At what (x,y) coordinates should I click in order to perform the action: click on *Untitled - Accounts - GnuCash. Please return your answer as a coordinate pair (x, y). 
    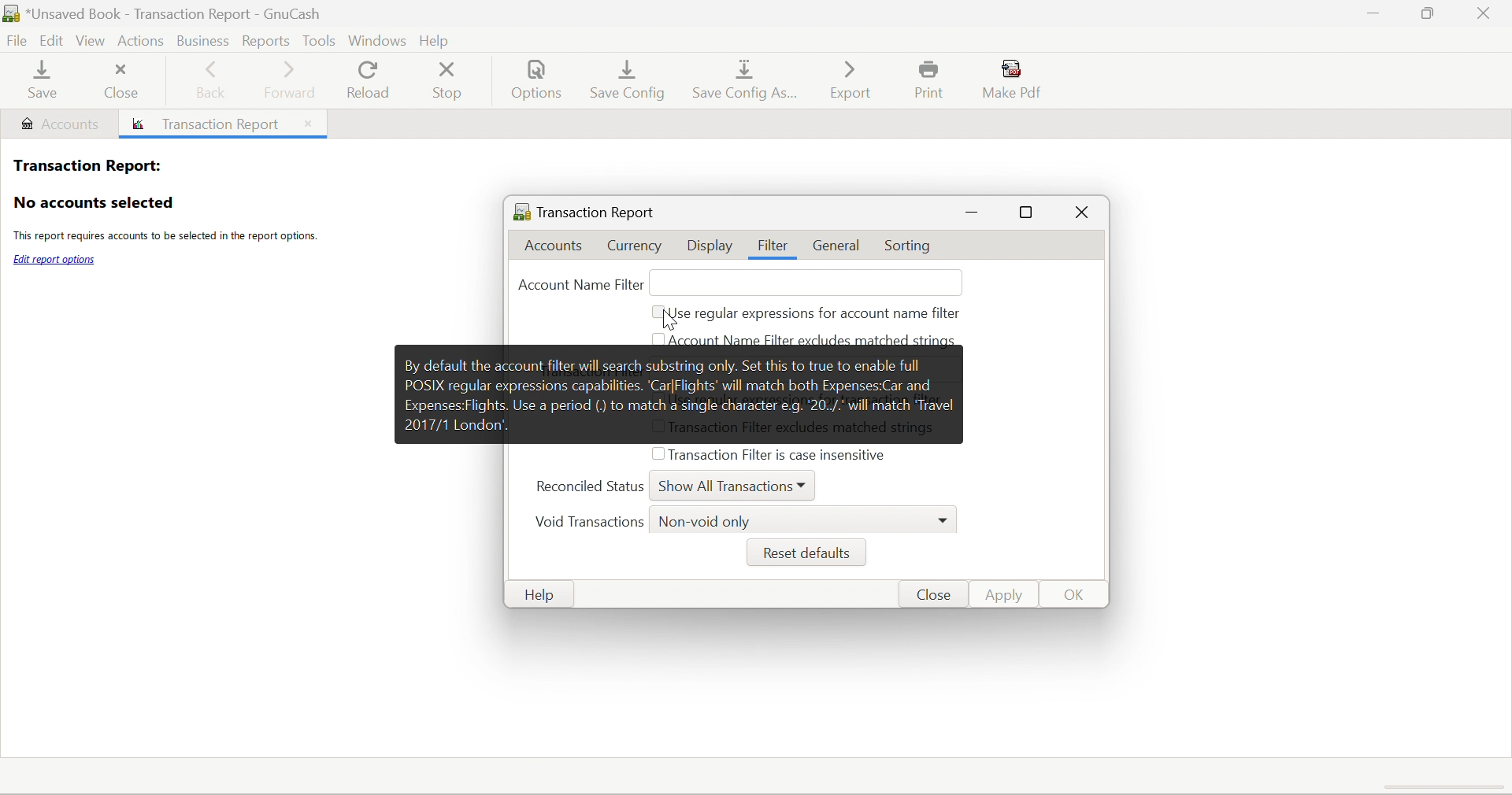
    Looking at the image, I should click on (178, 13).